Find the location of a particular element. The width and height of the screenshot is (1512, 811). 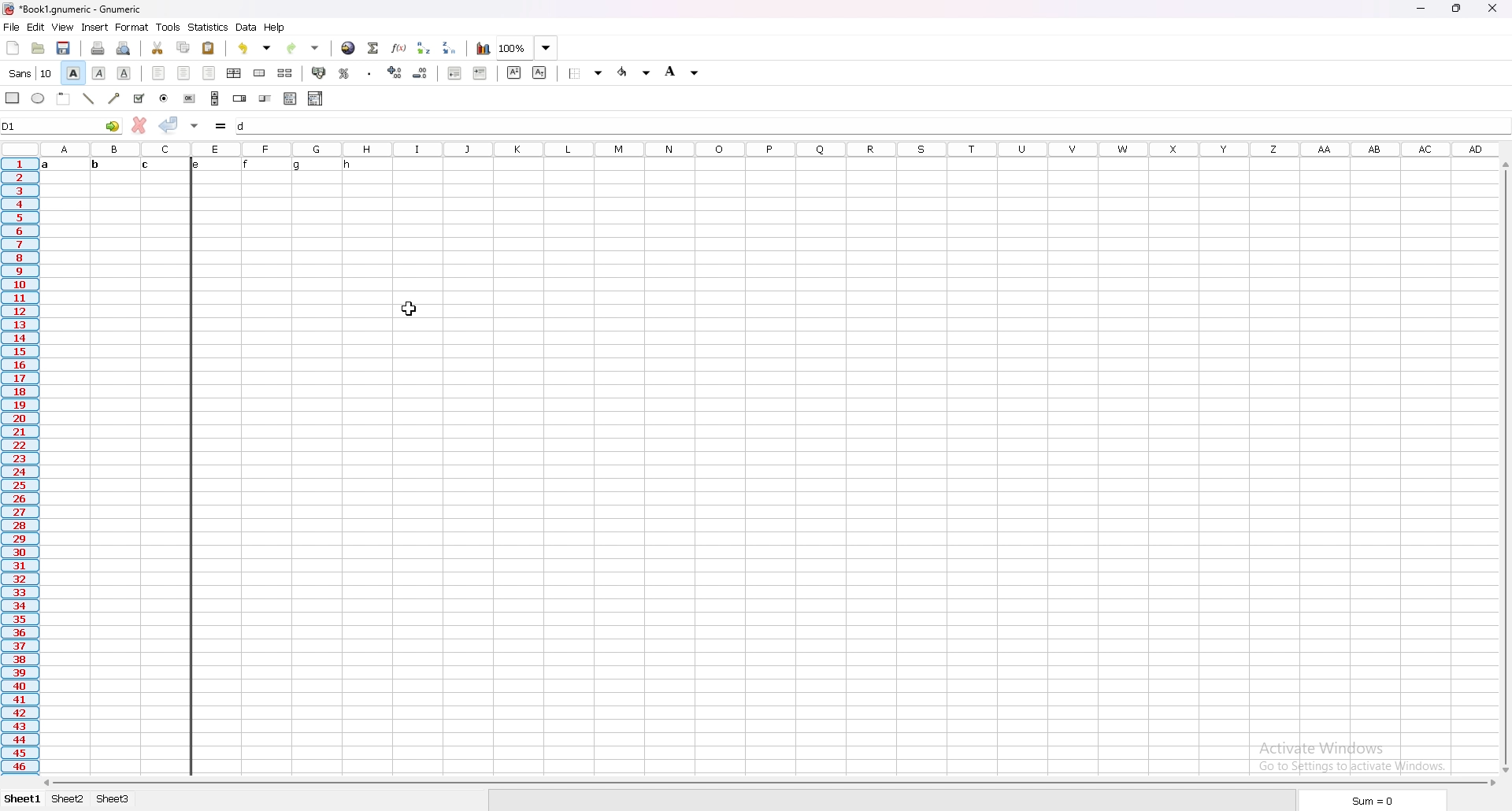

percentage is located at coordinates (345, 73).